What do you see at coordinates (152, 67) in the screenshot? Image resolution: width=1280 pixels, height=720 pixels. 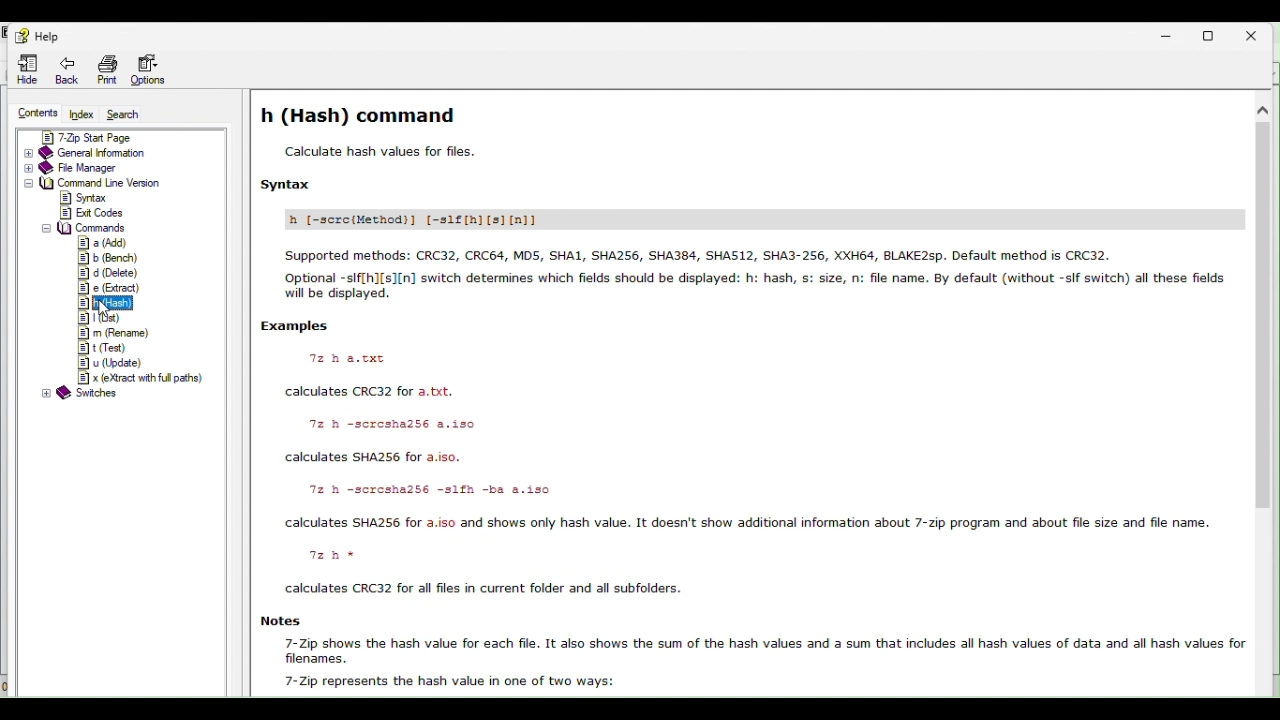 I see `Options` at bounding box center [152, 67].